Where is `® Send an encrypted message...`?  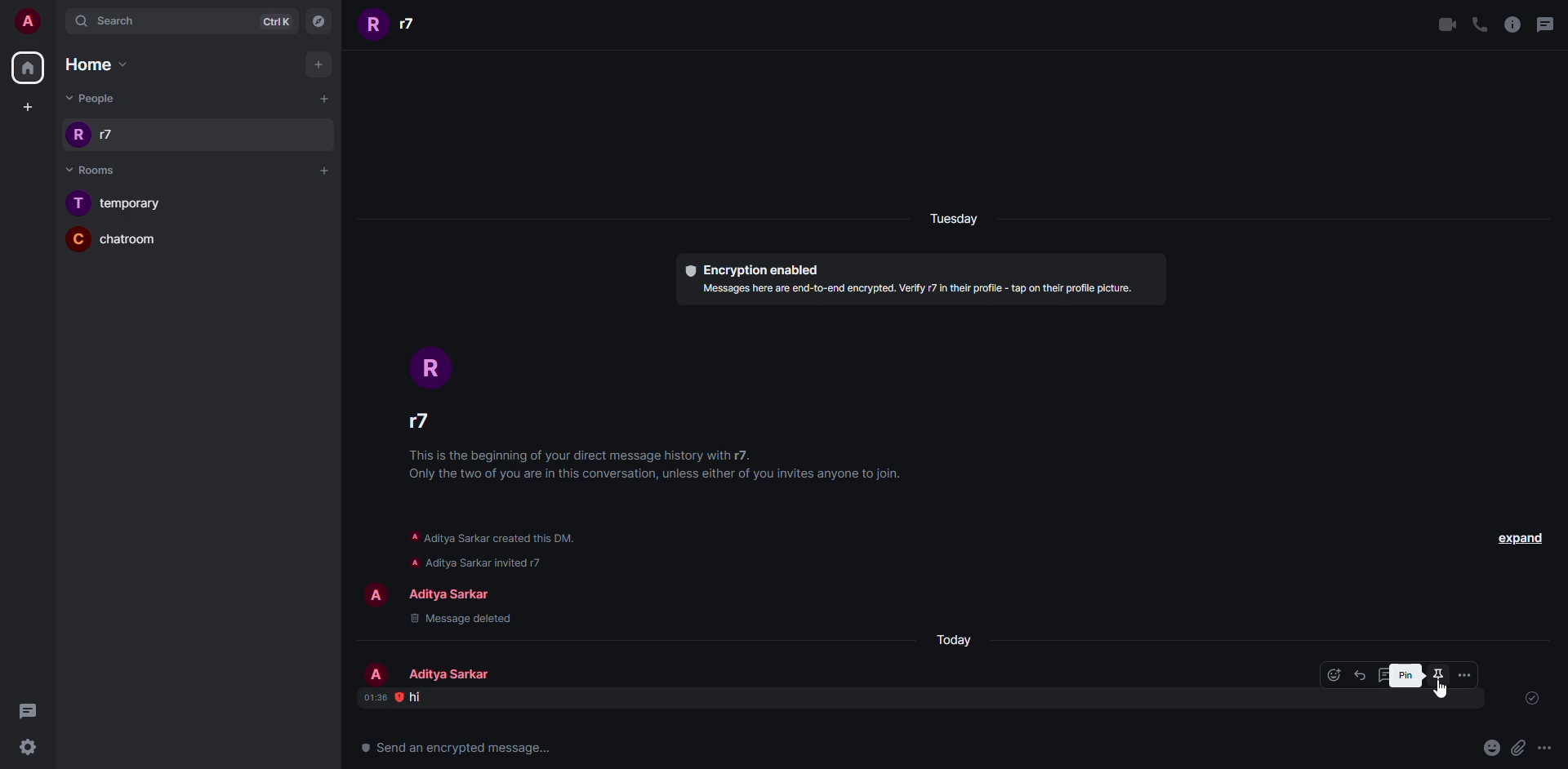
® Send an encrypted message... is located at coordinates (452, 747).